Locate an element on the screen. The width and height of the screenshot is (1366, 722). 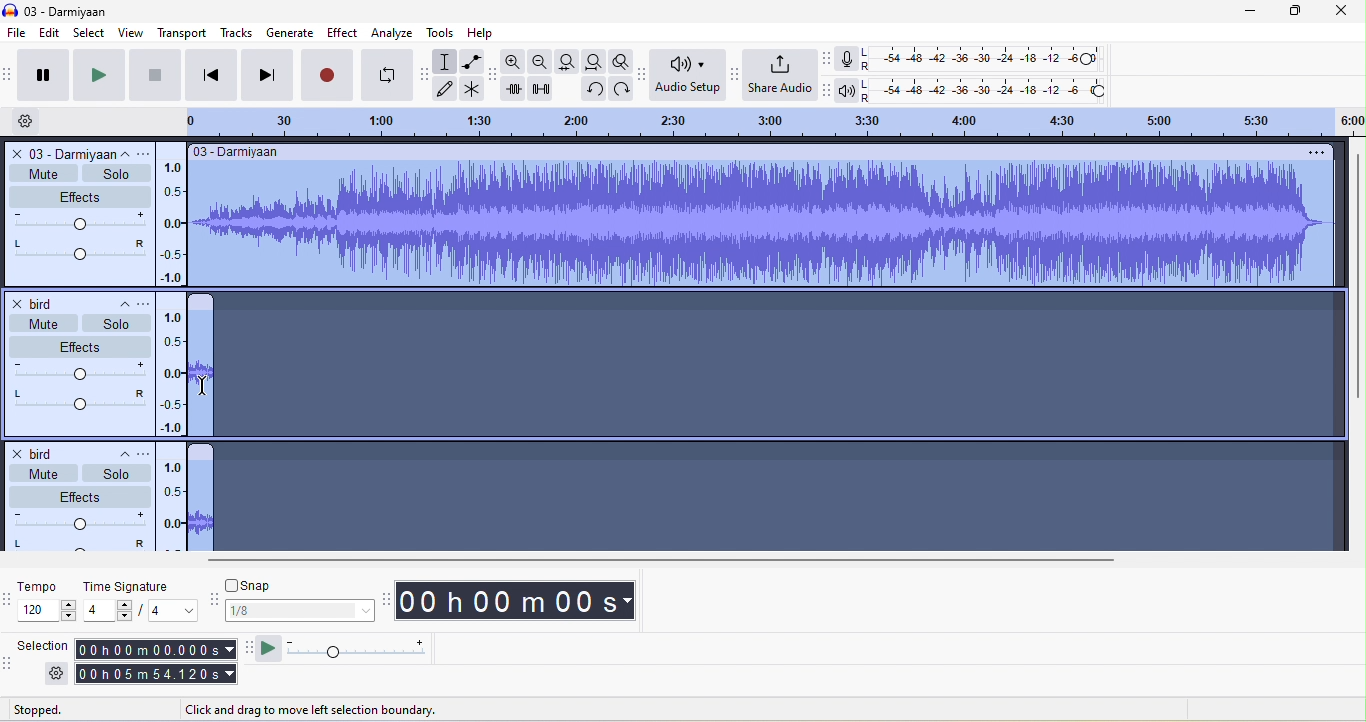
effects is located at coordinates (81, 497).